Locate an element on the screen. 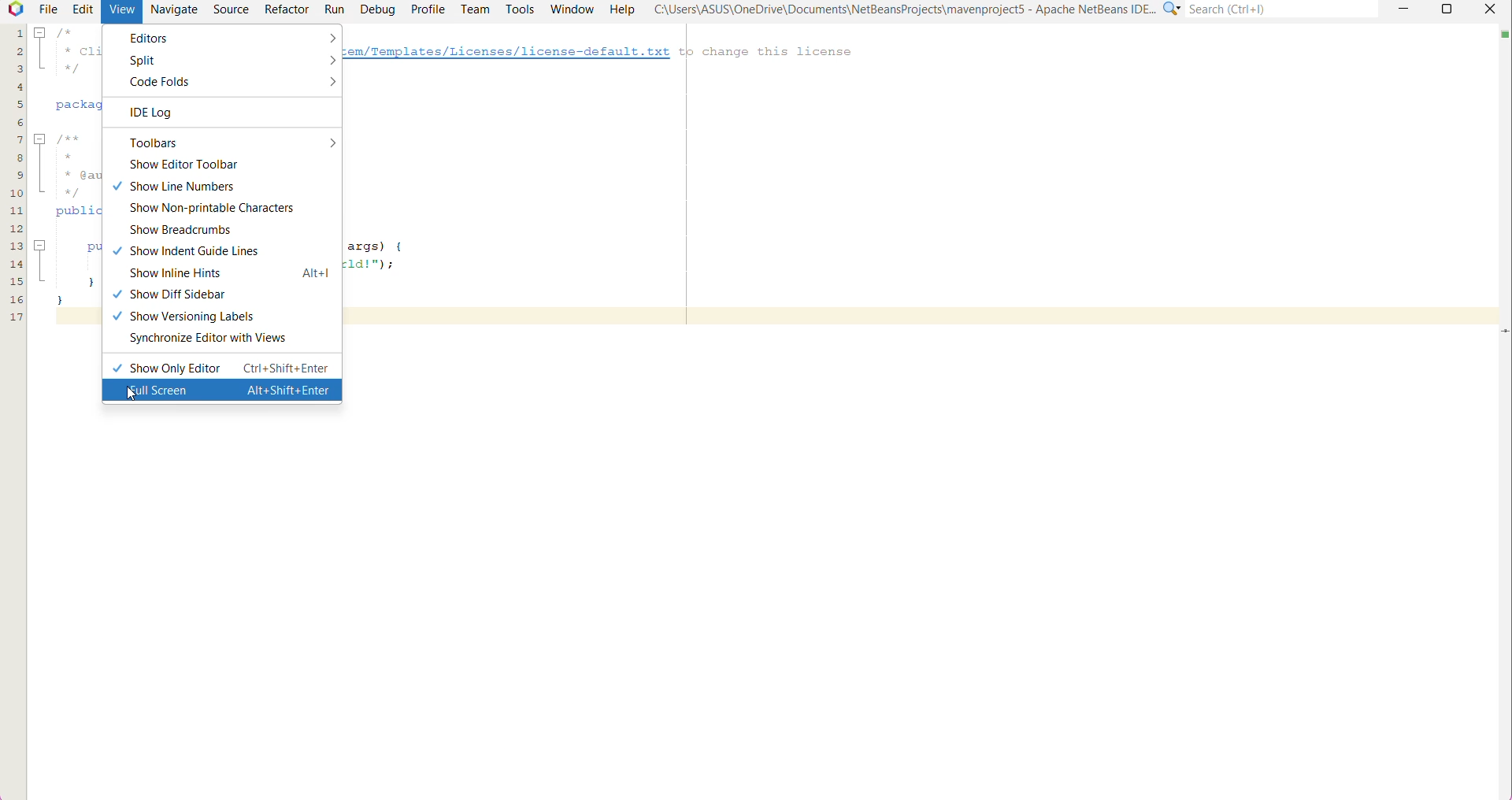 Image resolution: width=1512 pixels, height=800 pixels. Application Logo is located at coordinates (13, 10).